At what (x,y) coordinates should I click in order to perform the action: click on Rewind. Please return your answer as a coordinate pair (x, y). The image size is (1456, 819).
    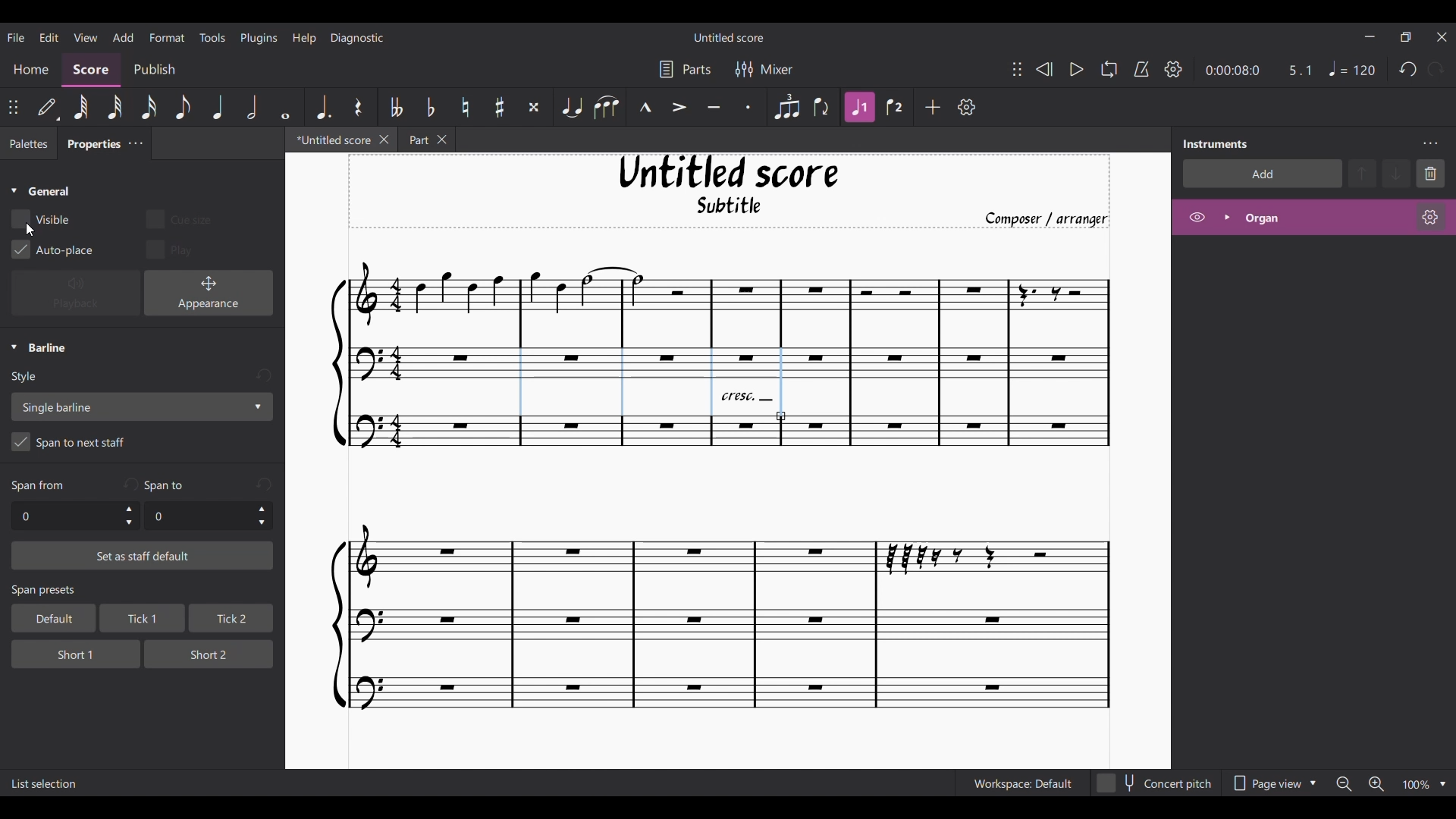
    Looking at the image, I should click on (1043, 69).